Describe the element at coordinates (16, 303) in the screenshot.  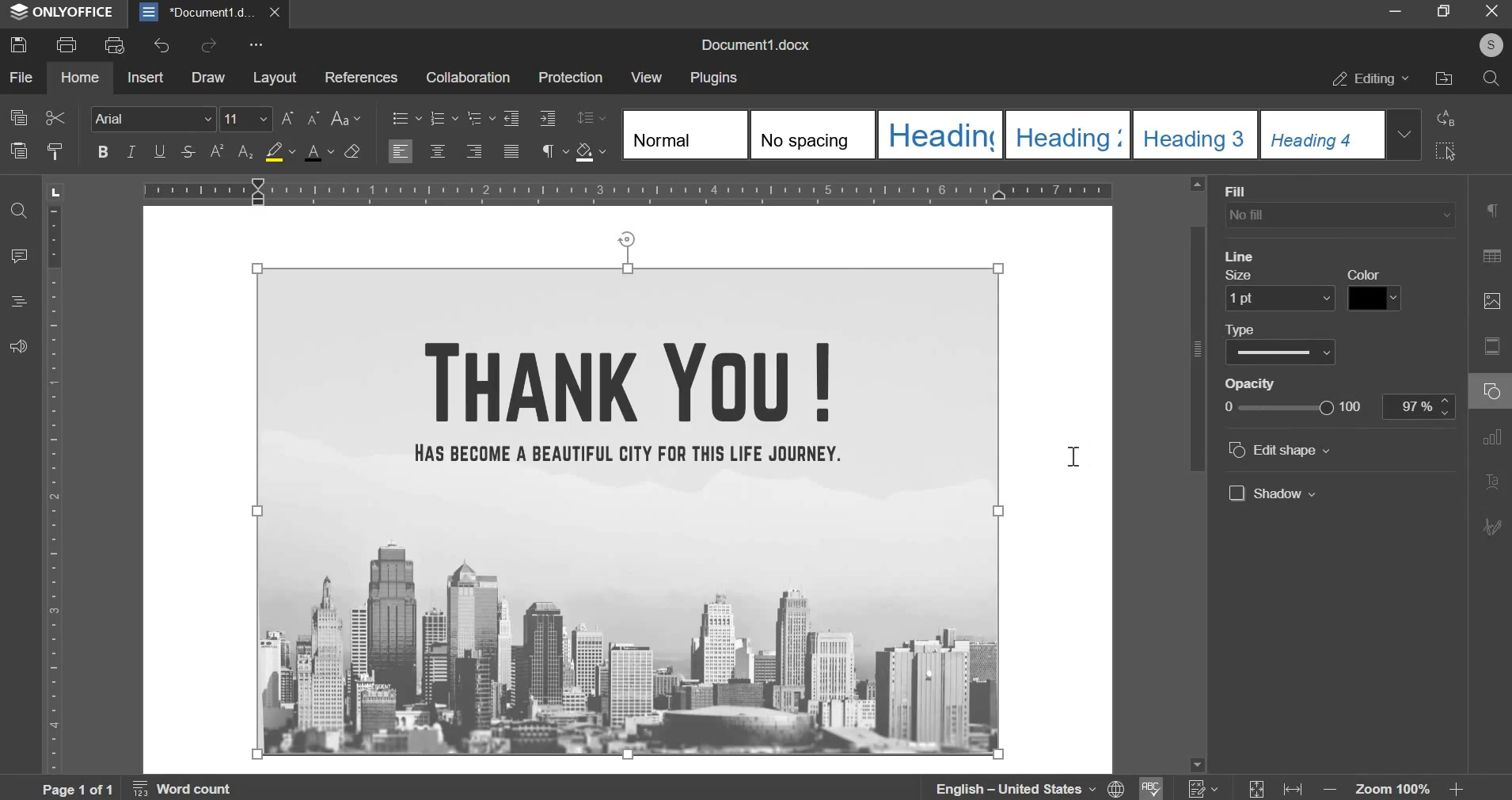
I see `headings` at that location.